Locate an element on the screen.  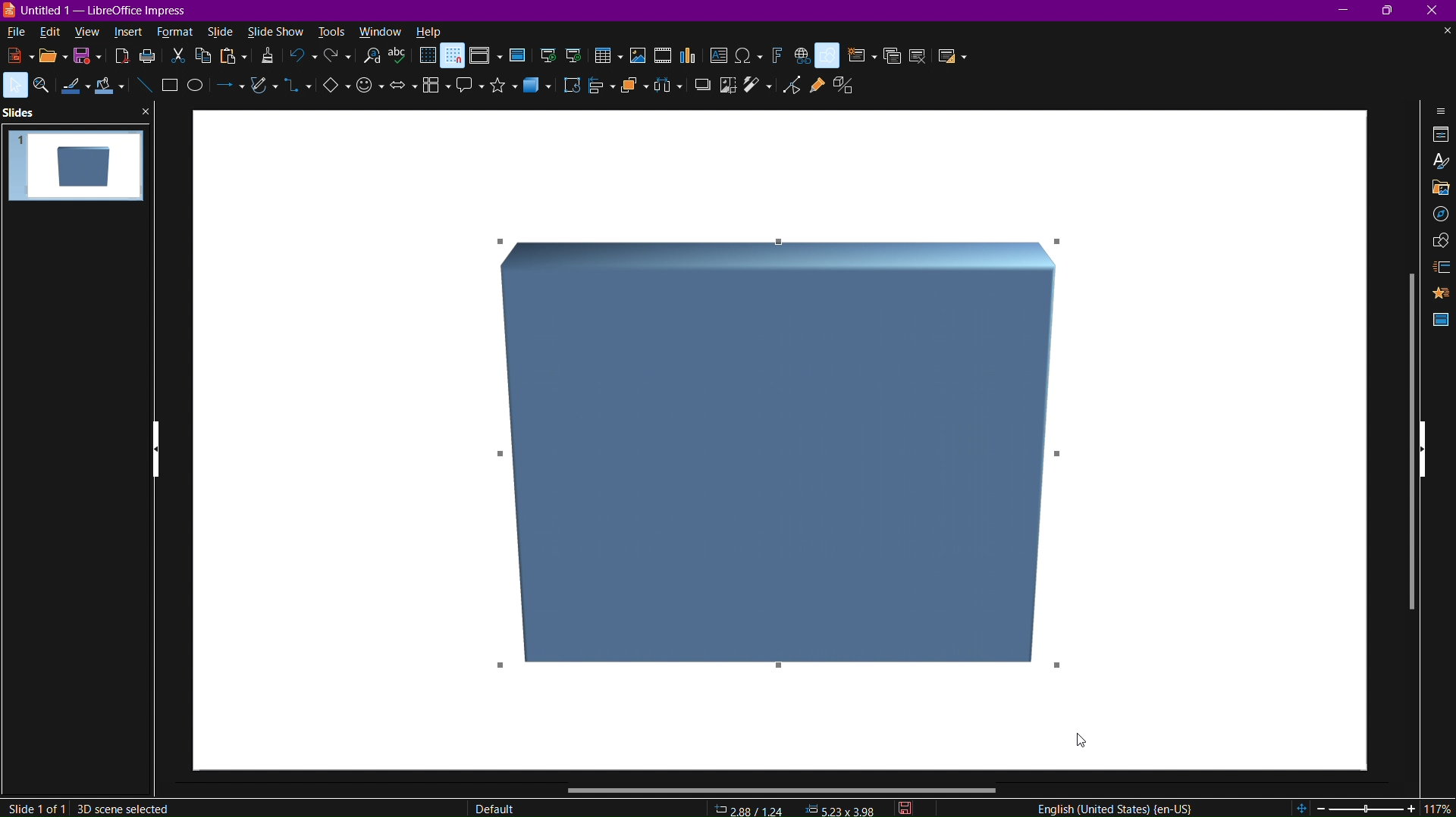
3D objects is located at coordinates (542, 92).